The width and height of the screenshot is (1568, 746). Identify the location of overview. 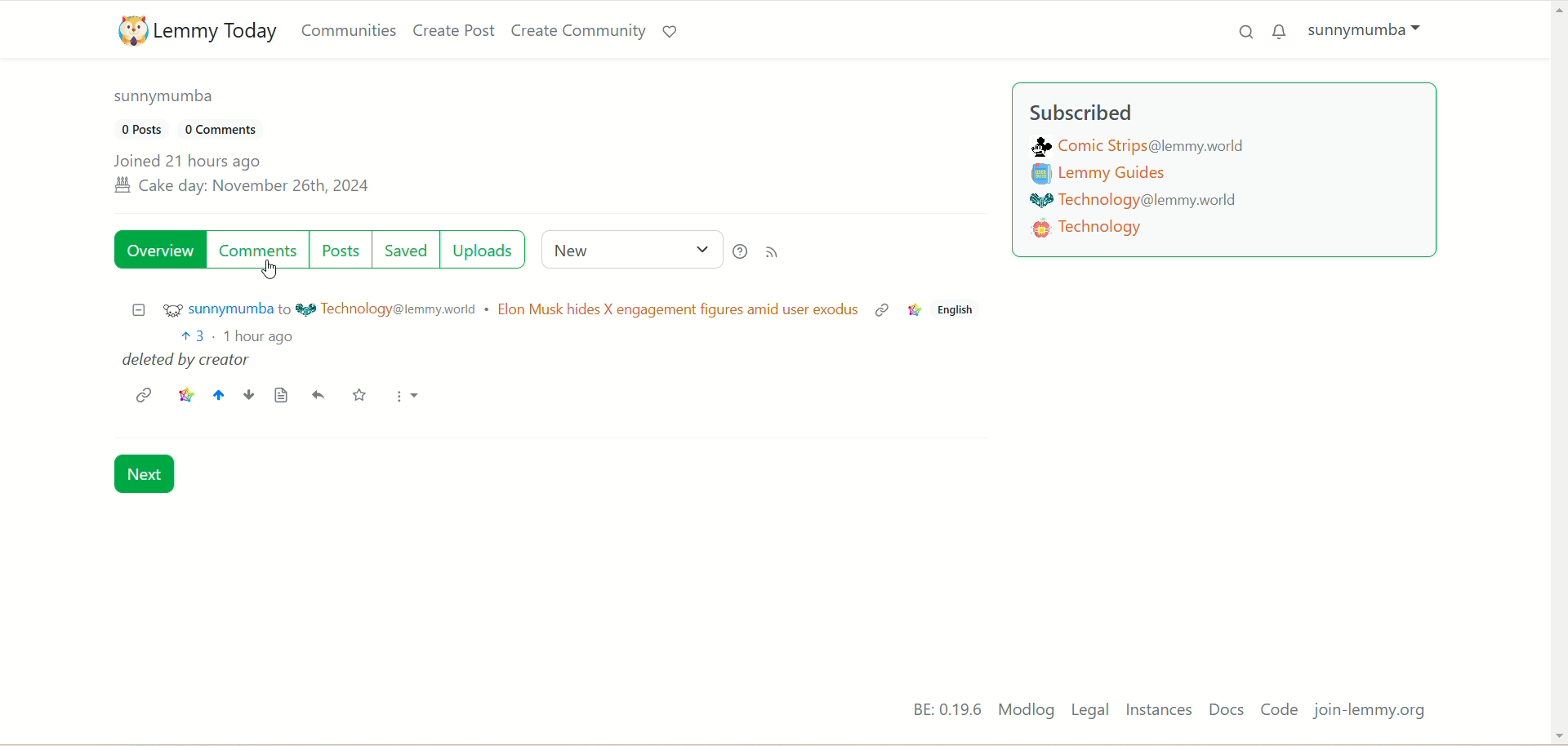
(159, 251).